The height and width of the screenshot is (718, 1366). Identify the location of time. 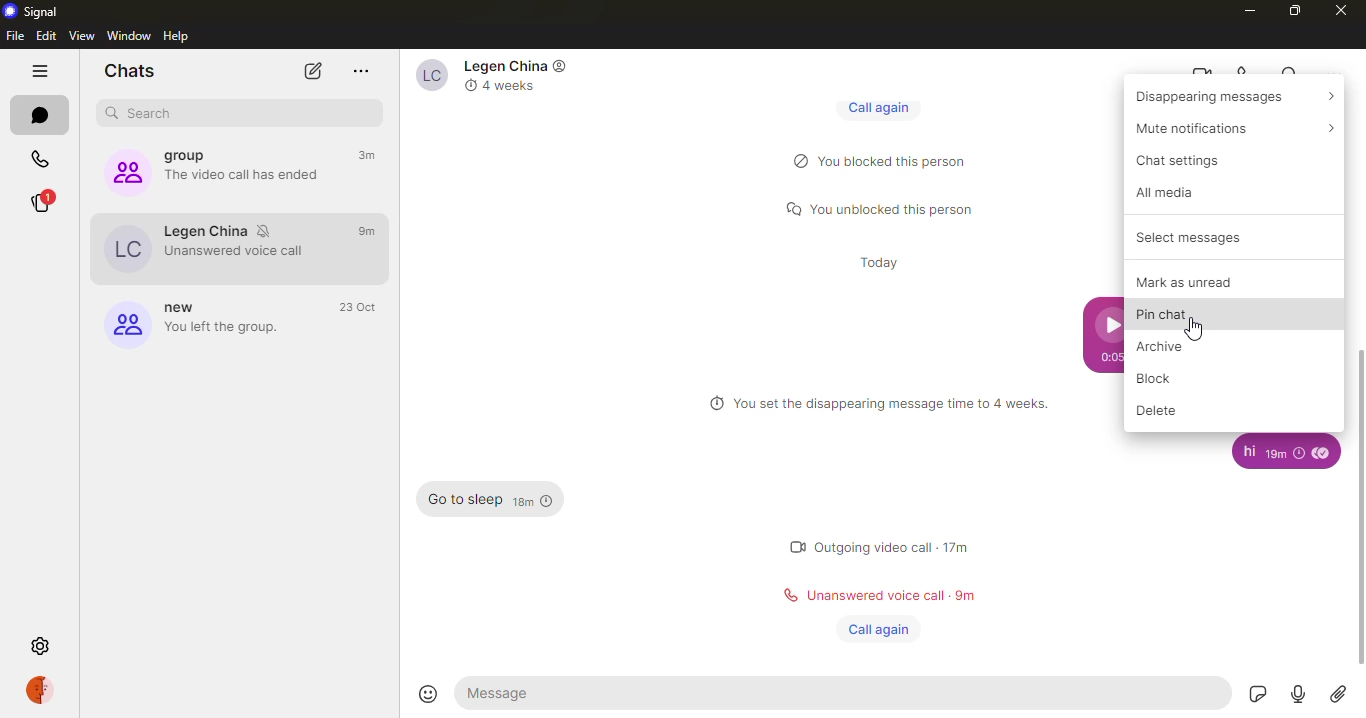
(367, 153).